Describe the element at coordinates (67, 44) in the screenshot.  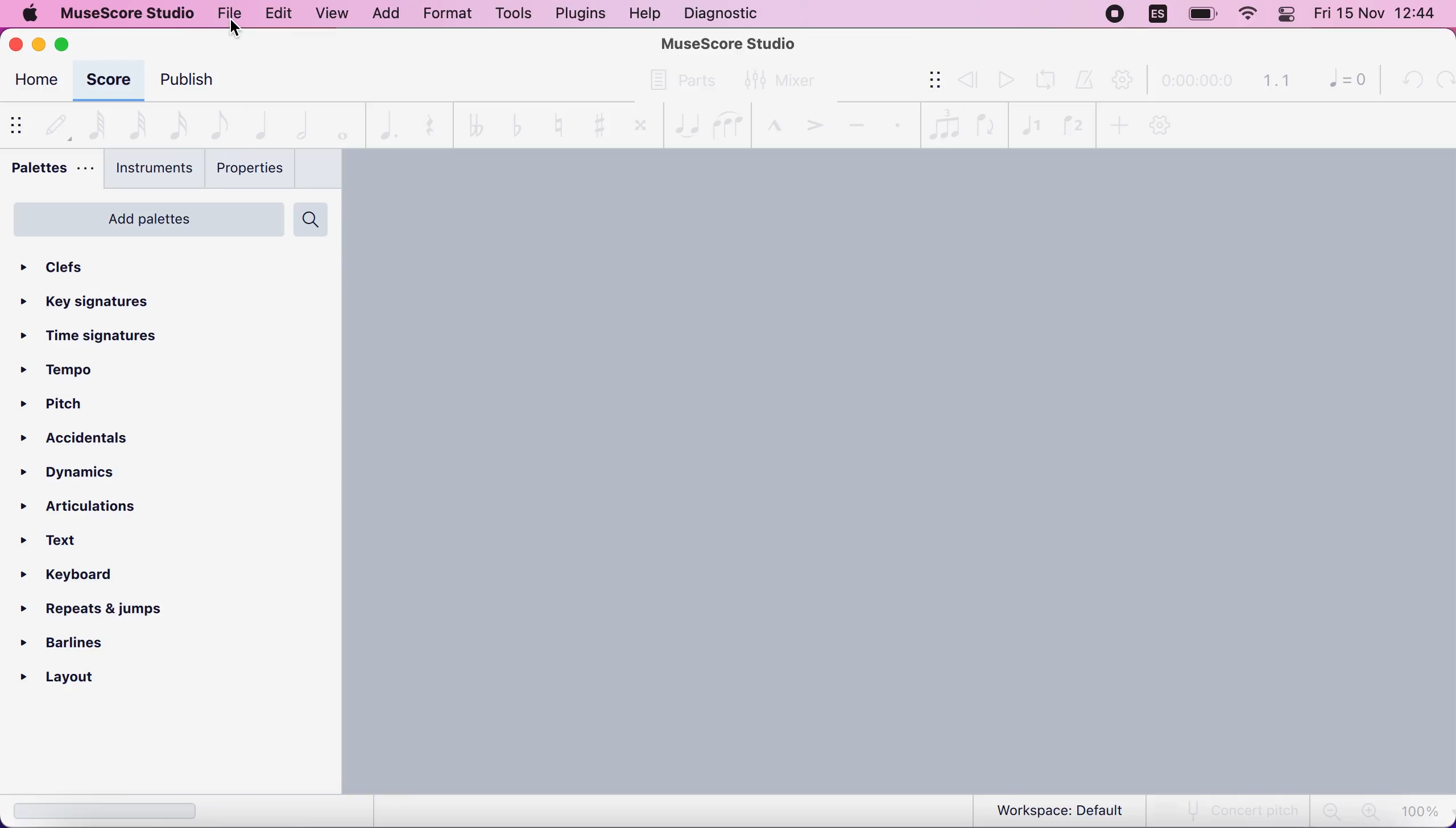
I see `maximize` at that location.